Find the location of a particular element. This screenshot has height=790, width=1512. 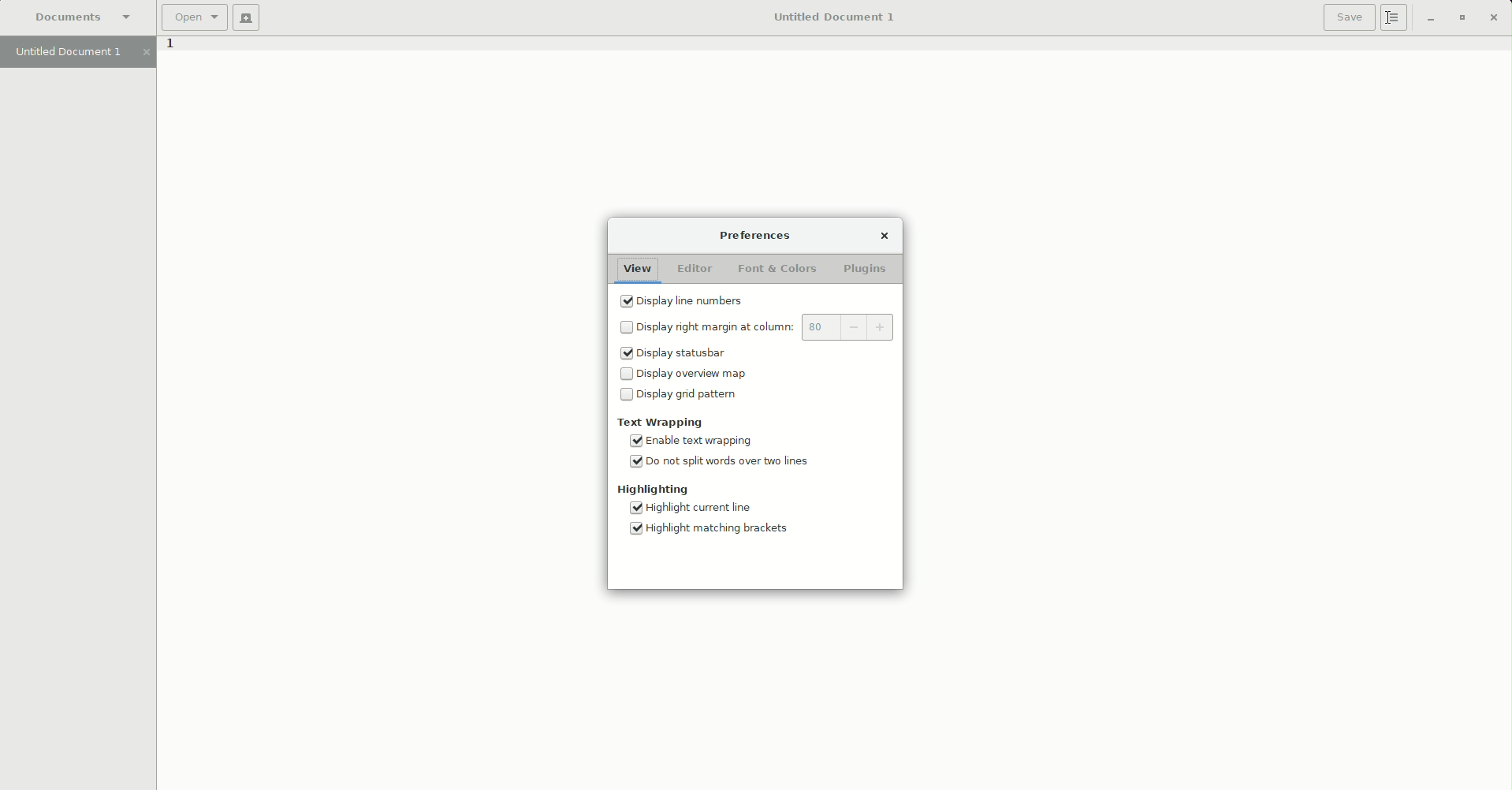

display Overview map is located at coordinates (688, 372).